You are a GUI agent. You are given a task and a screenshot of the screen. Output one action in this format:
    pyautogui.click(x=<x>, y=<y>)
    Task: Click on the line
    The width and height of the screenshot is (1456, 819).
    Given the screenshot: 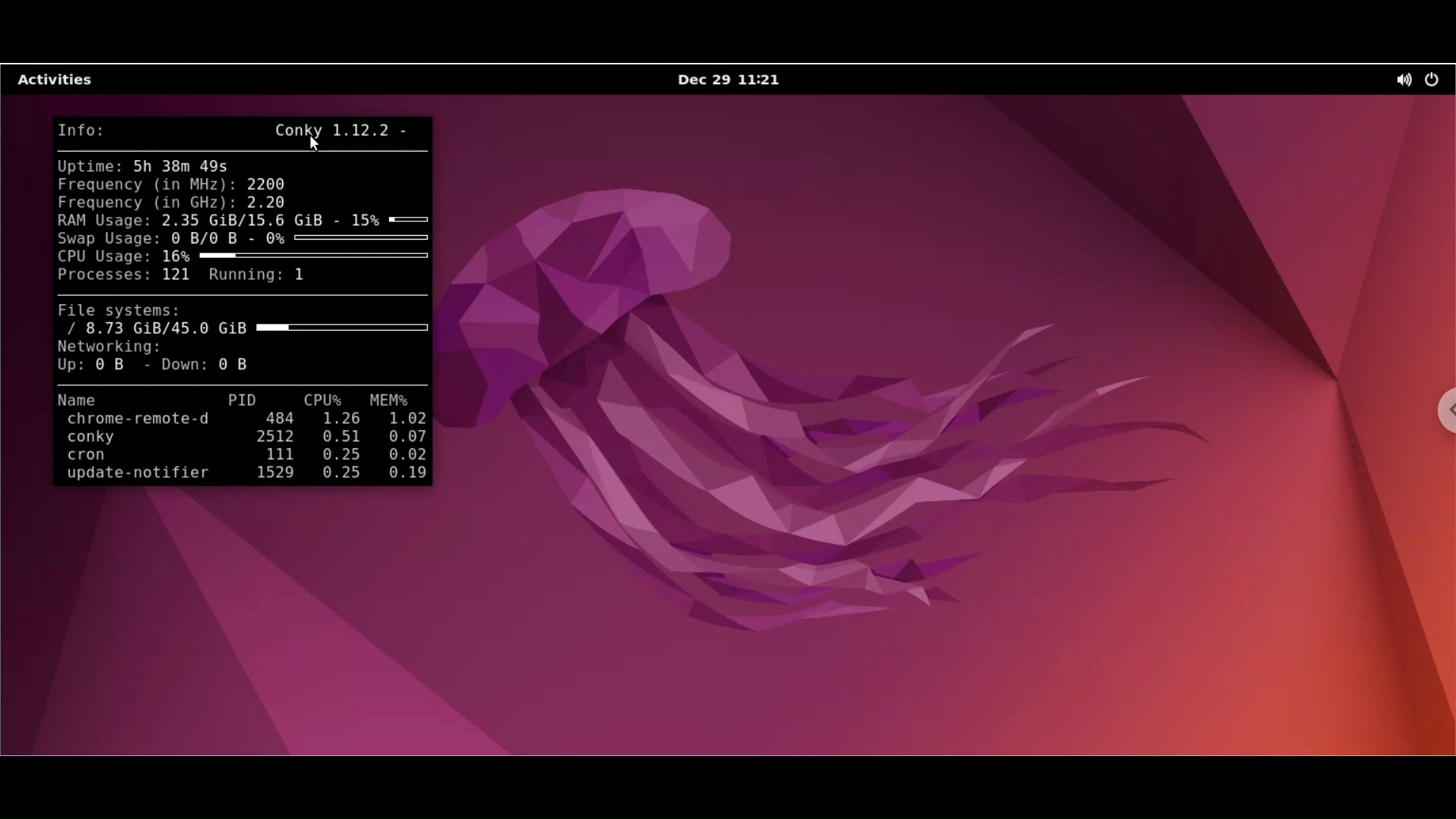 What is the action you would take?
    pyautogui.click(x=240, y=296)
    